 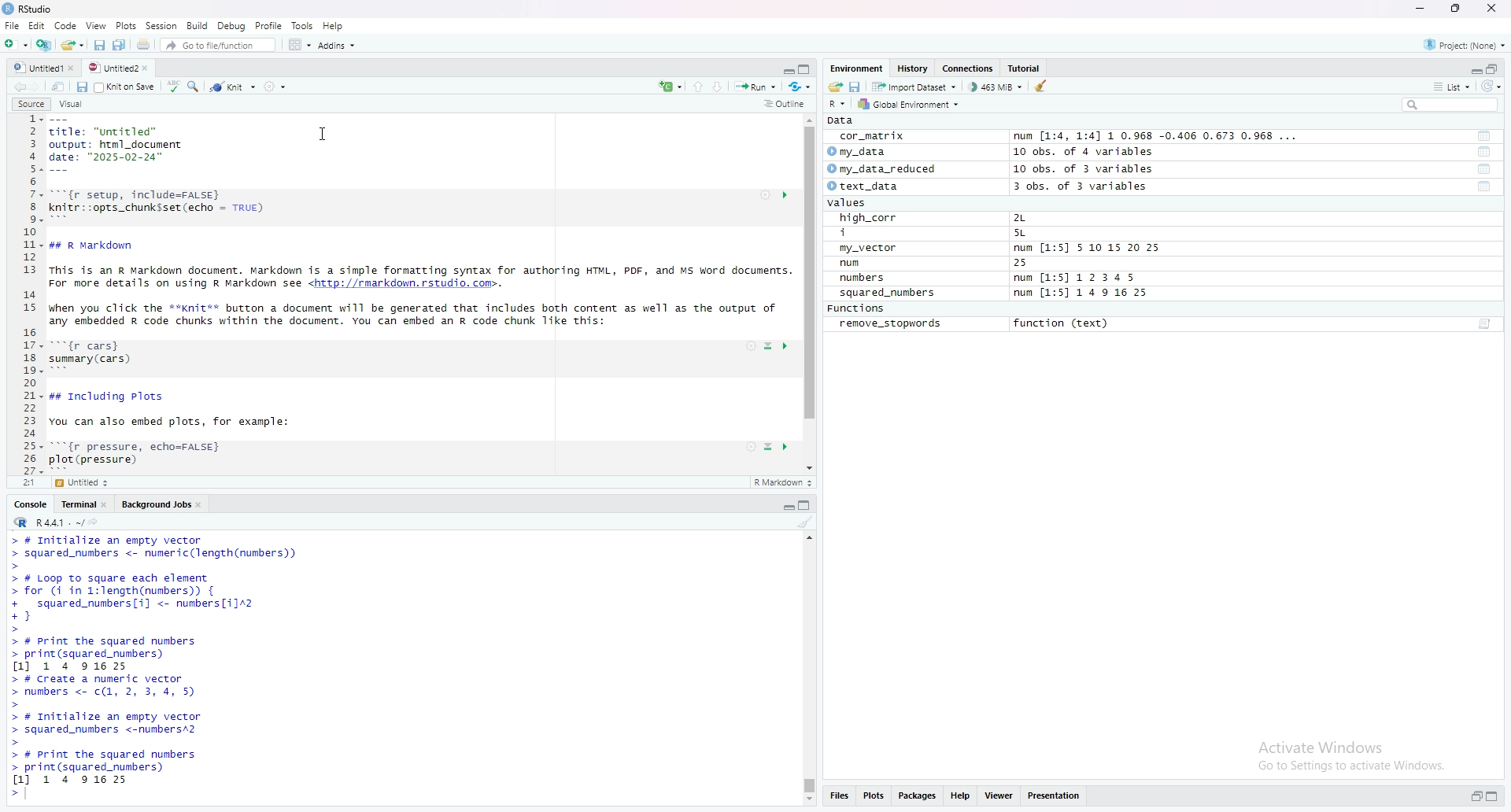 What do you see at coordinates (1037, 263) in the screenshot?
I see `25` at bounding box center [1037, 263].